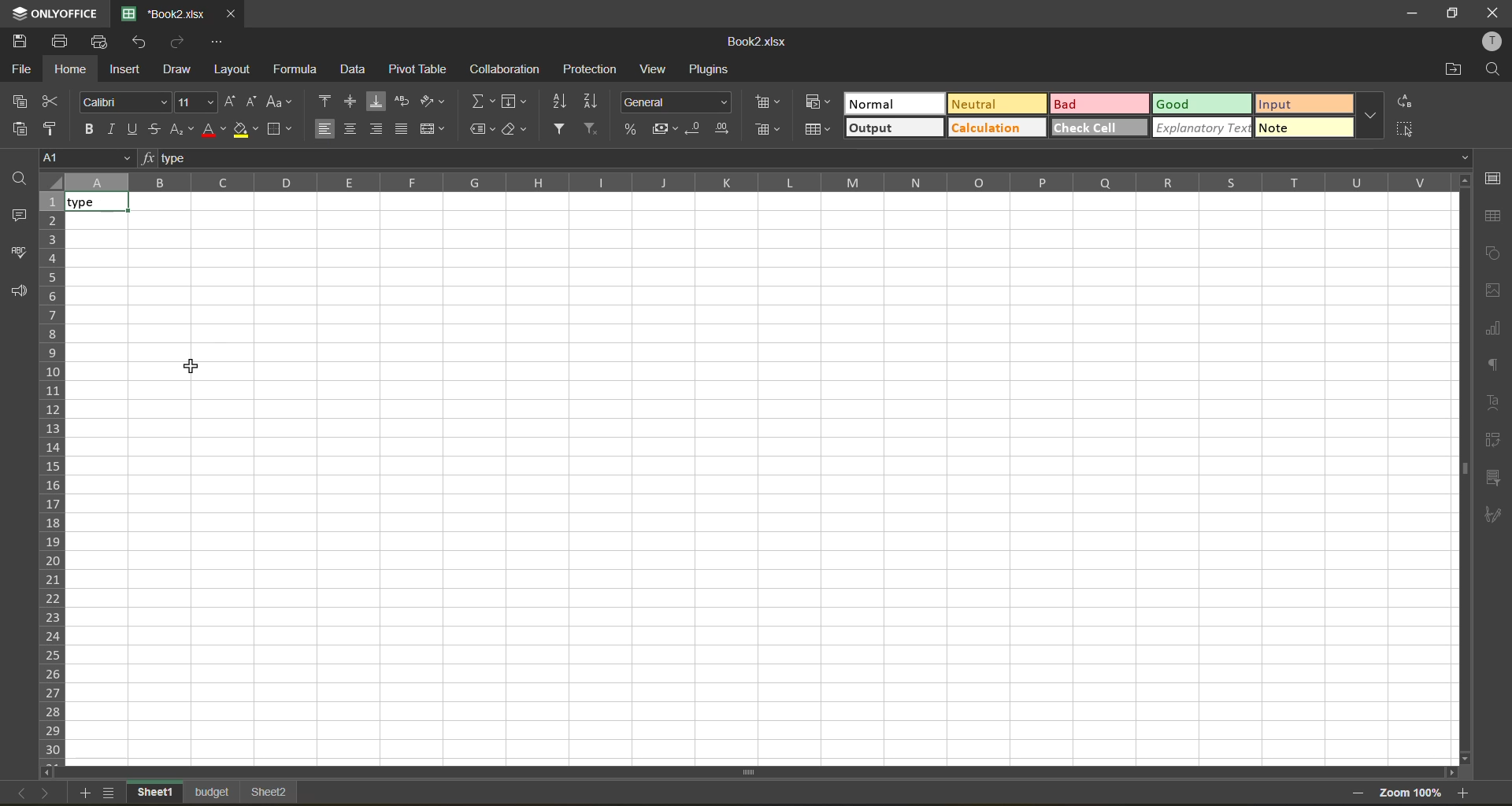 The width and height of the screenshot is (1512, 806). What do you see at coordinates (280, 129) in the screenshot?
I see `borders` at bounding box center [280, 129].